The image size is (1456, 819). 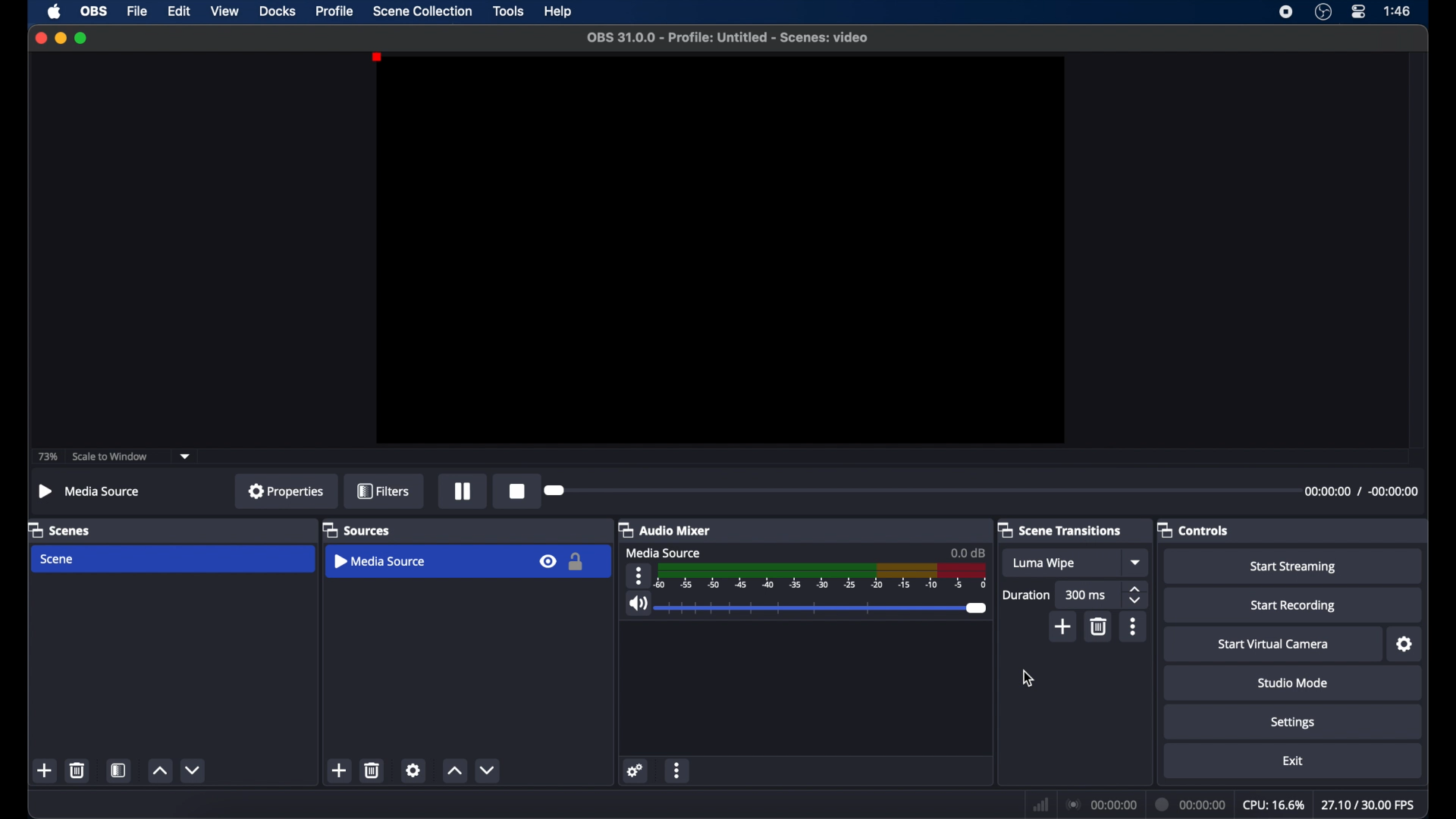 I want to click on visibility, so click(x=547, y=560).